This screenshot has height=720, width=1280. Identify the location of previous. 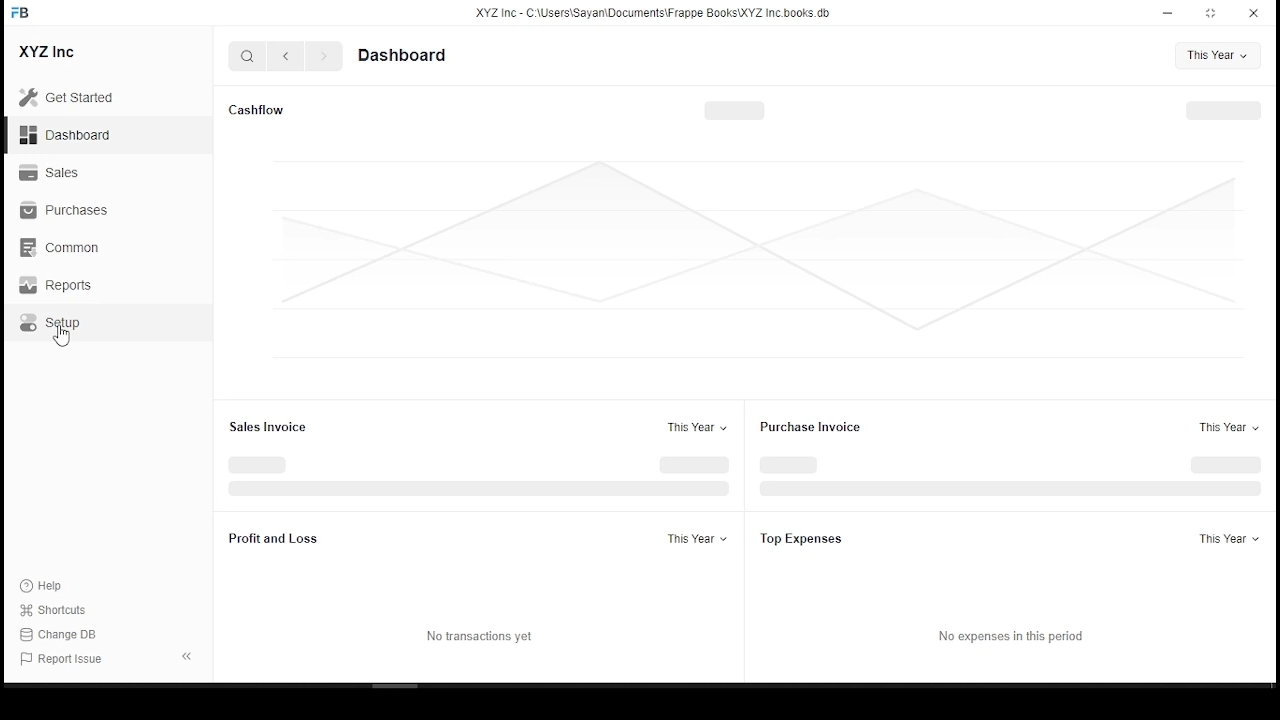
(284, 56).